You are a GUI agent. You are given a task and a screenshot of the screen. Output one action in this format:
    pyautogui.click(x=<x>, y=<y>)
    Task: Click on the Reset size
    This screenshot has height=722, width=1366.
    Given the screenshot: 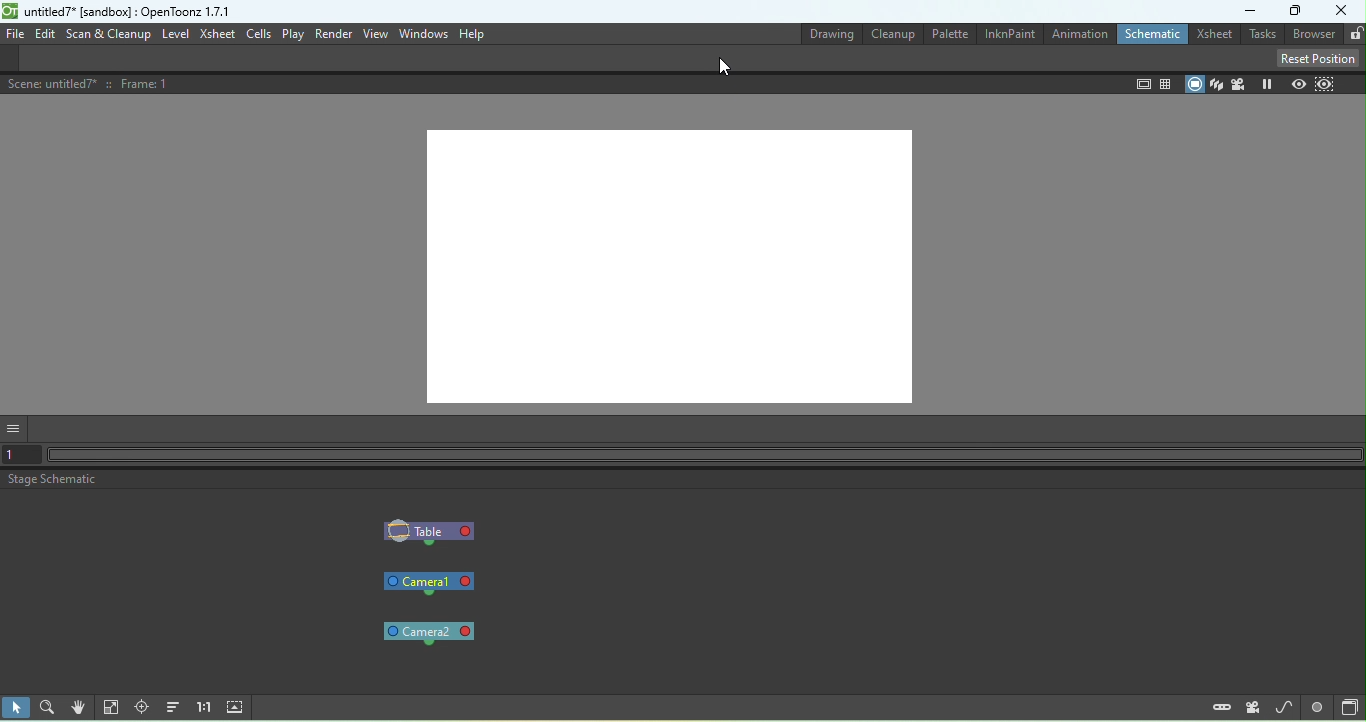 What is the action you would take?
    pyautogui.click(x=206, y=708)
    